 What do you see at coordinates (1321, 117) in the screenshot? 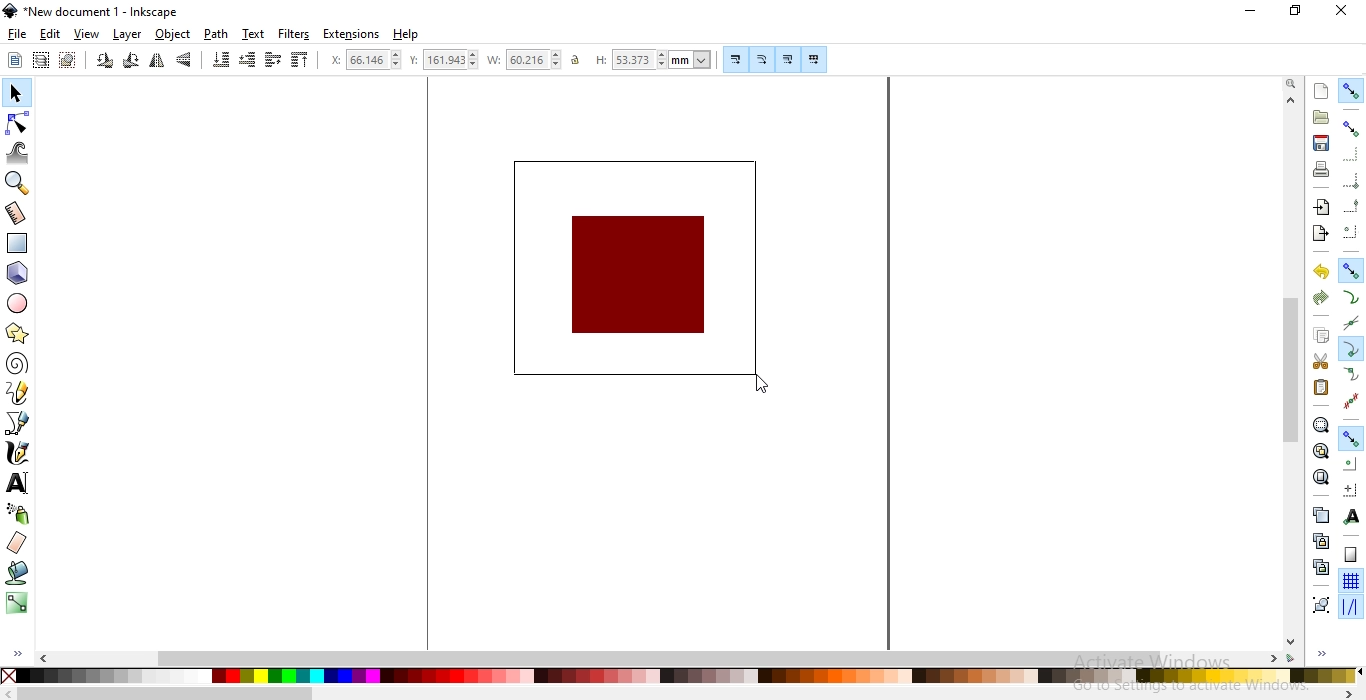
I see `open existing document` at bounding box center [1321, 117].